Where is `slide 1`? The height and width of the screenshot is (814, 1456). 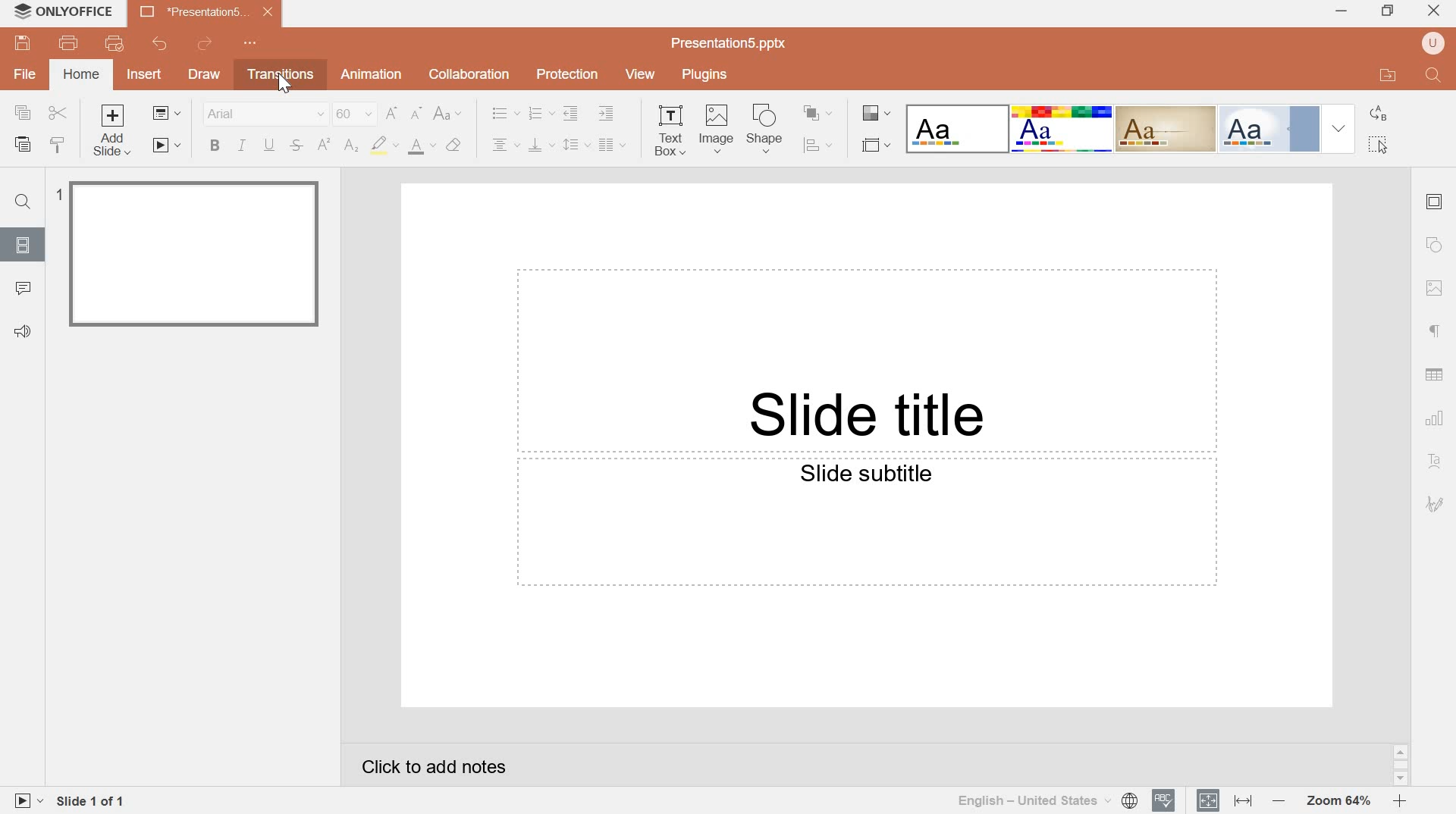
slide 1 is located at coordinates (196, 254).